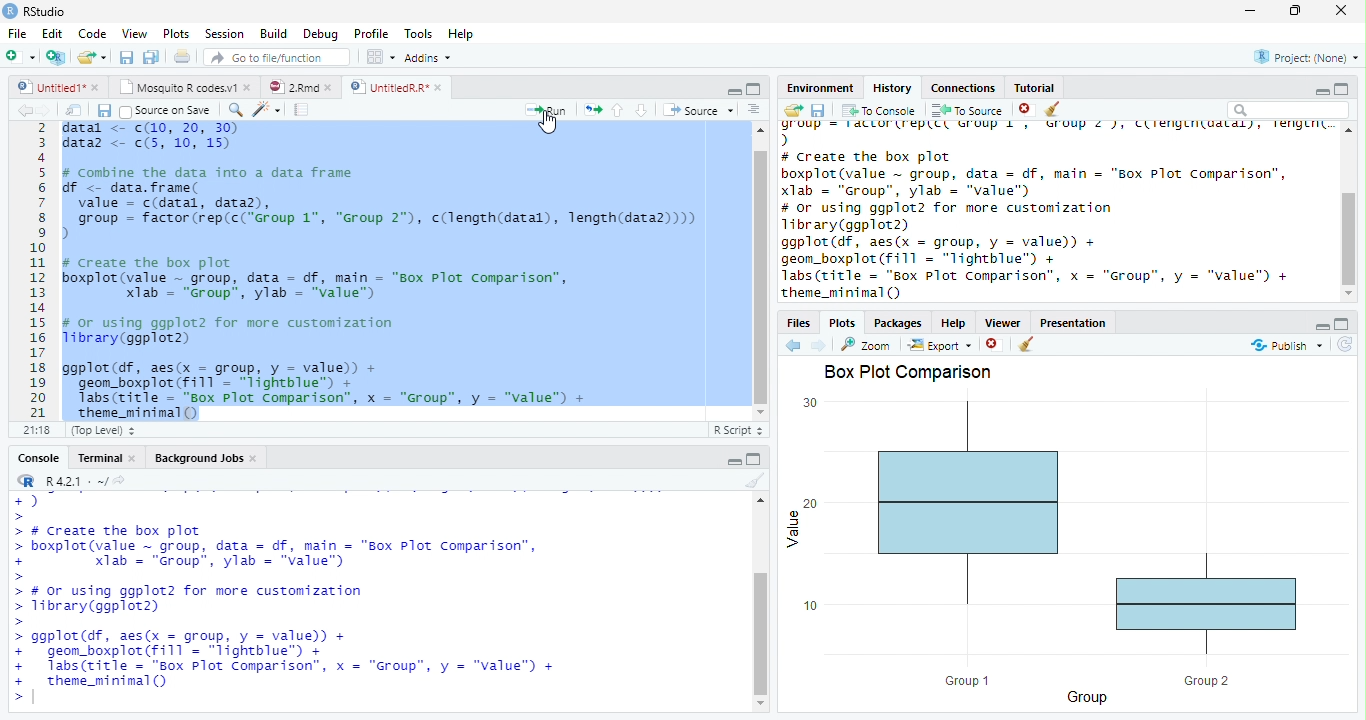 This screenshot has height=720, width=1366. What do you see at coordinates (35, 430) in the screenshot?
I see `1:1` at bounding box center [35, 430].